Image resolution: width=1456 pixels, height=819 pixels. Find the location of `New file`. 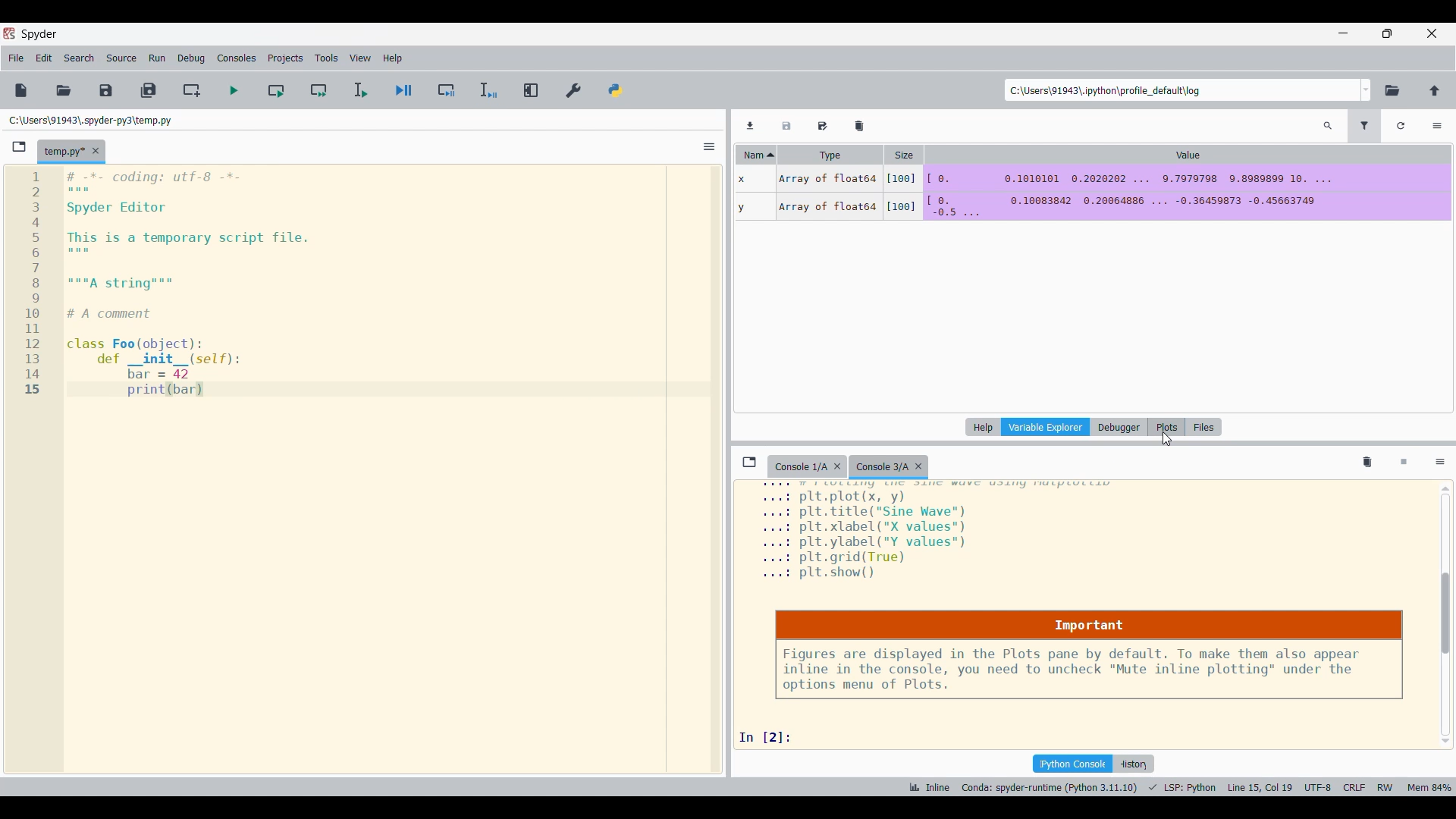

New file is located at coordinates (21, 90).